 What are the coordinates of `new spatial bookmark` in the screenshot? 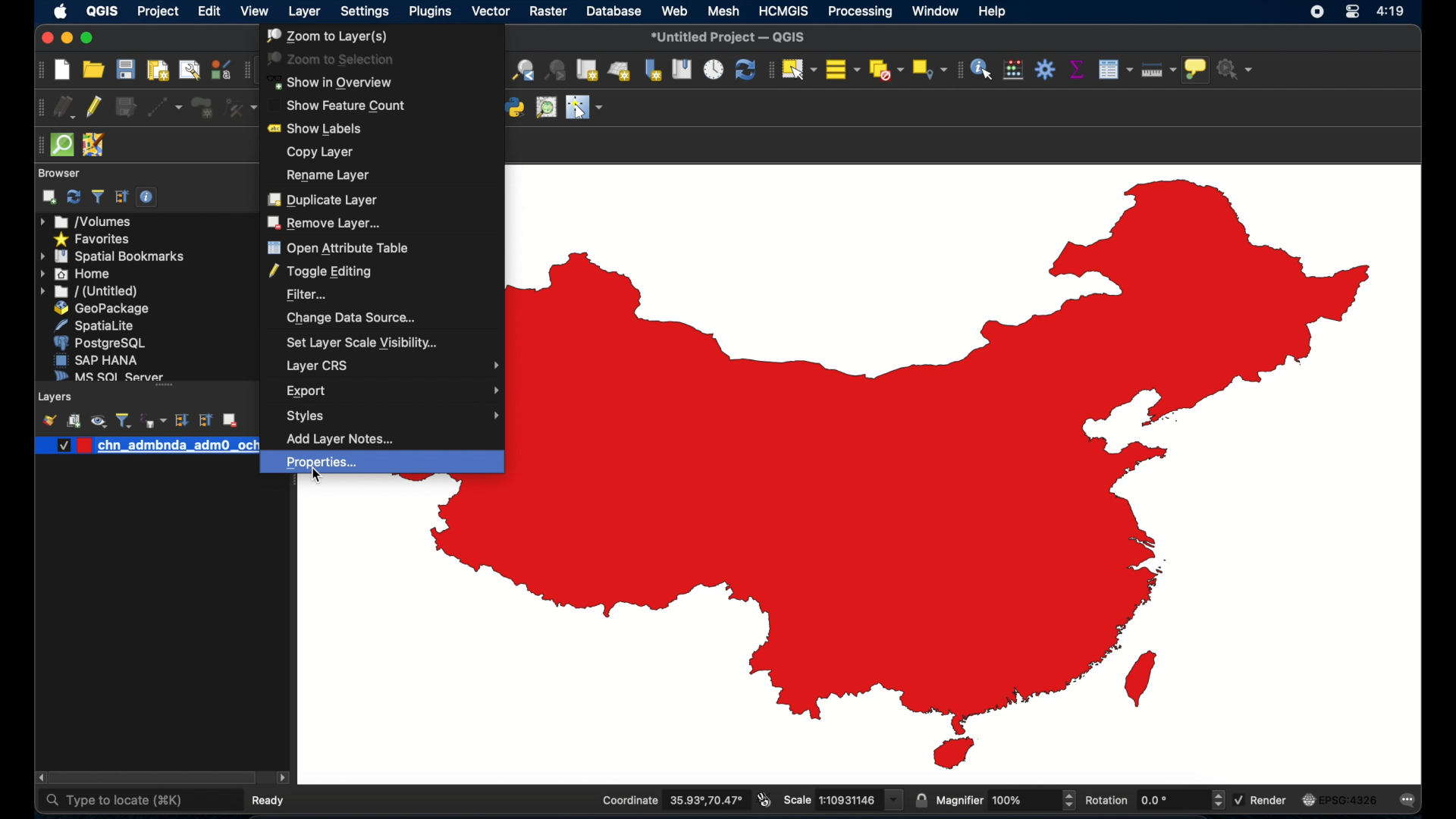 It's located at (654, 71).